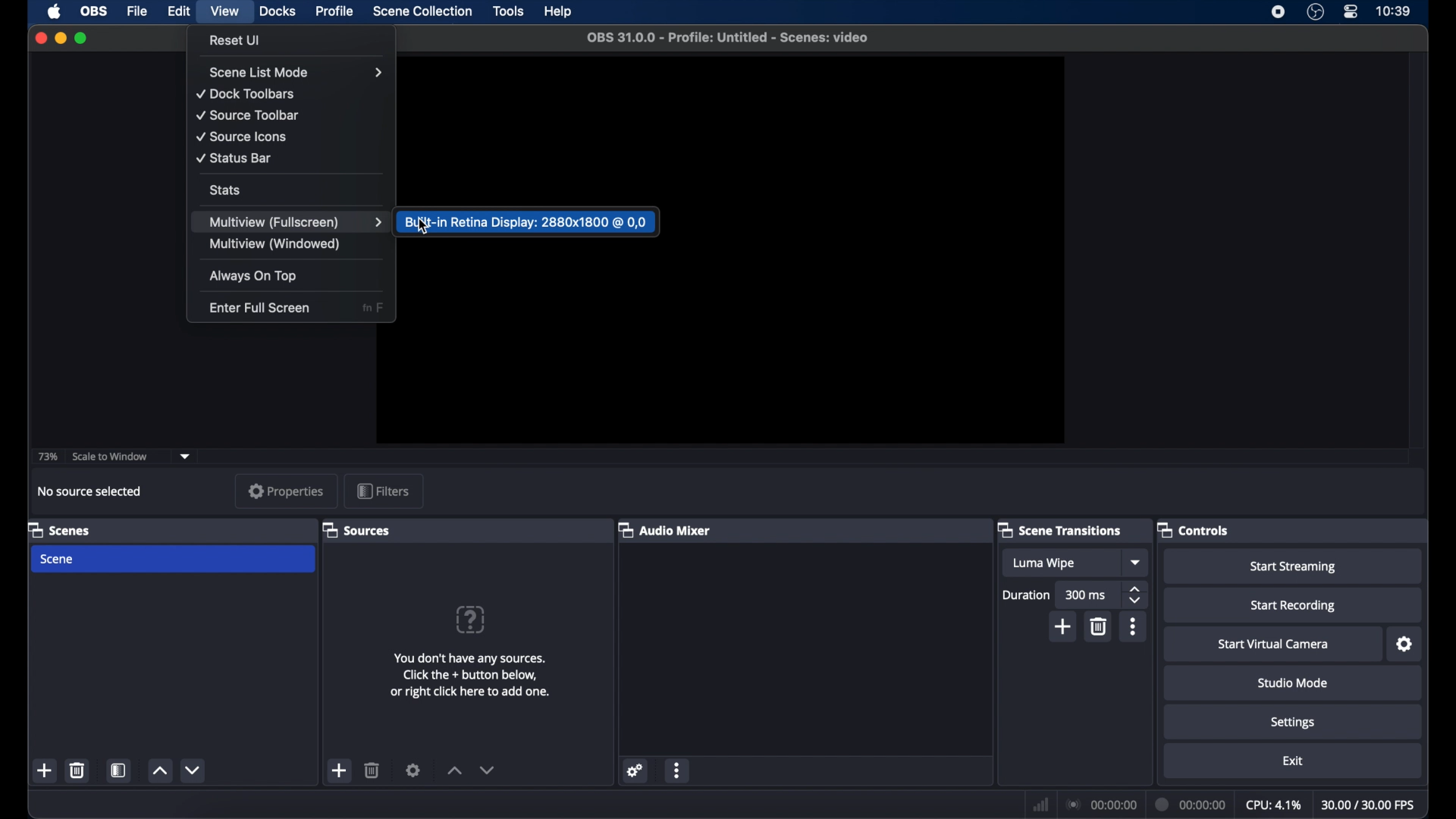  I want to click on delete, so click(78, 770).